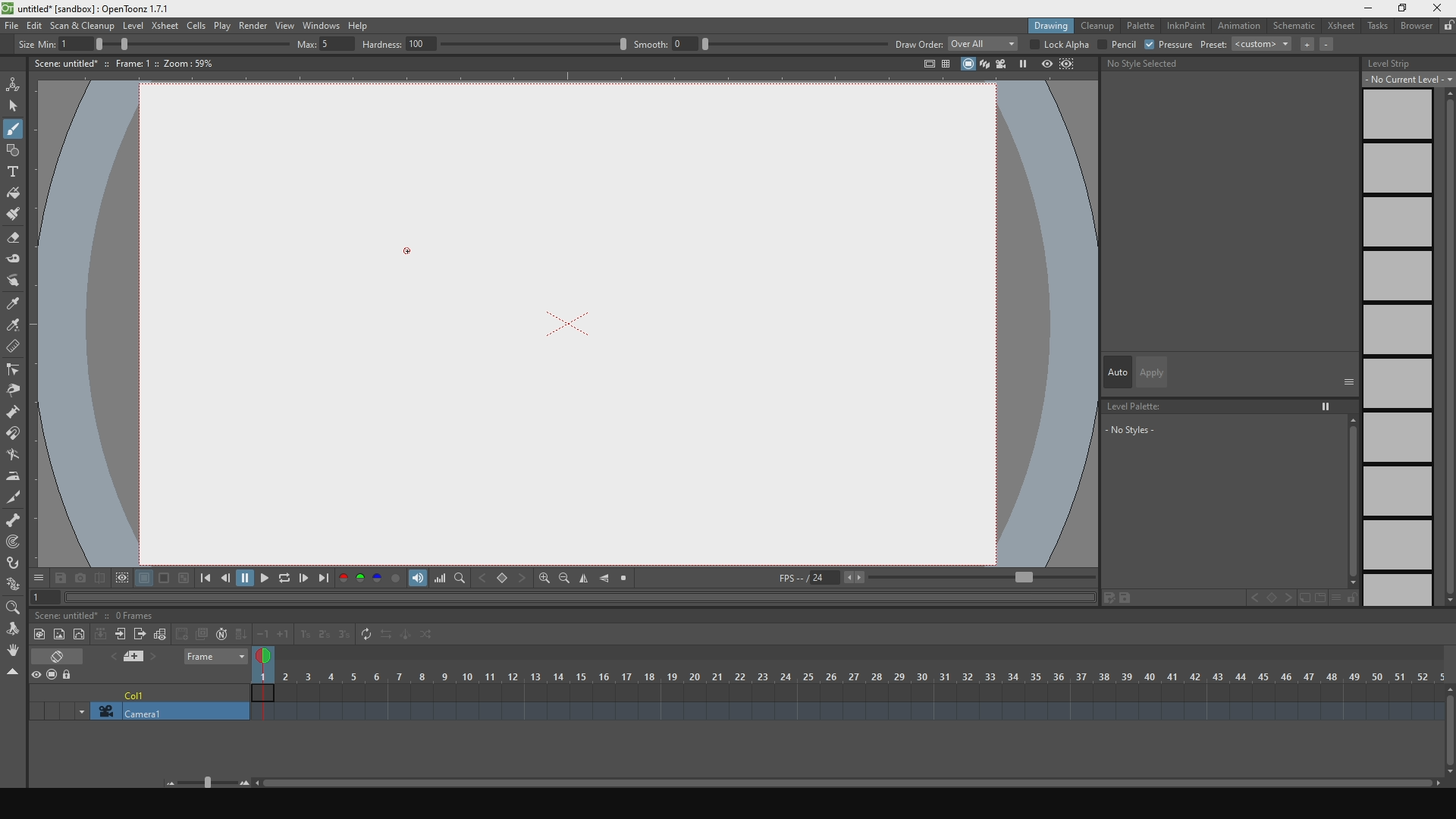  I want to click on scene frame, so click(842, 677).